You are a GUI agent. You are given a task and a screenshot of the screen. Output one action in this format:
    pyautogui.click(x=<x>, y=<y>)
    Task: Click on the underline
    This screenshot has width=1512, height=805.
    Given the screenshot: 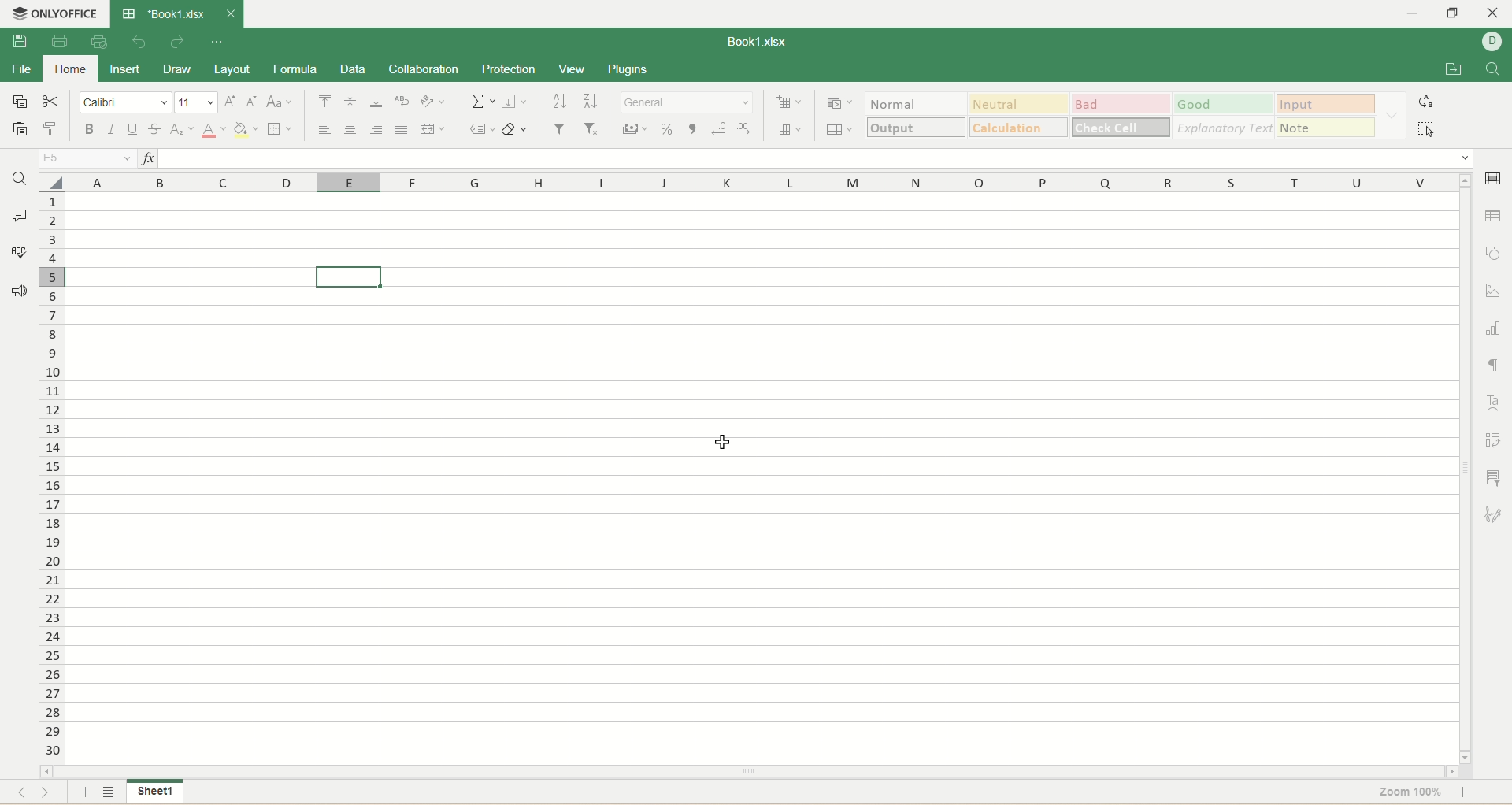 What is the action you would take?
    pyautogui.click(x=132, y=129)
    